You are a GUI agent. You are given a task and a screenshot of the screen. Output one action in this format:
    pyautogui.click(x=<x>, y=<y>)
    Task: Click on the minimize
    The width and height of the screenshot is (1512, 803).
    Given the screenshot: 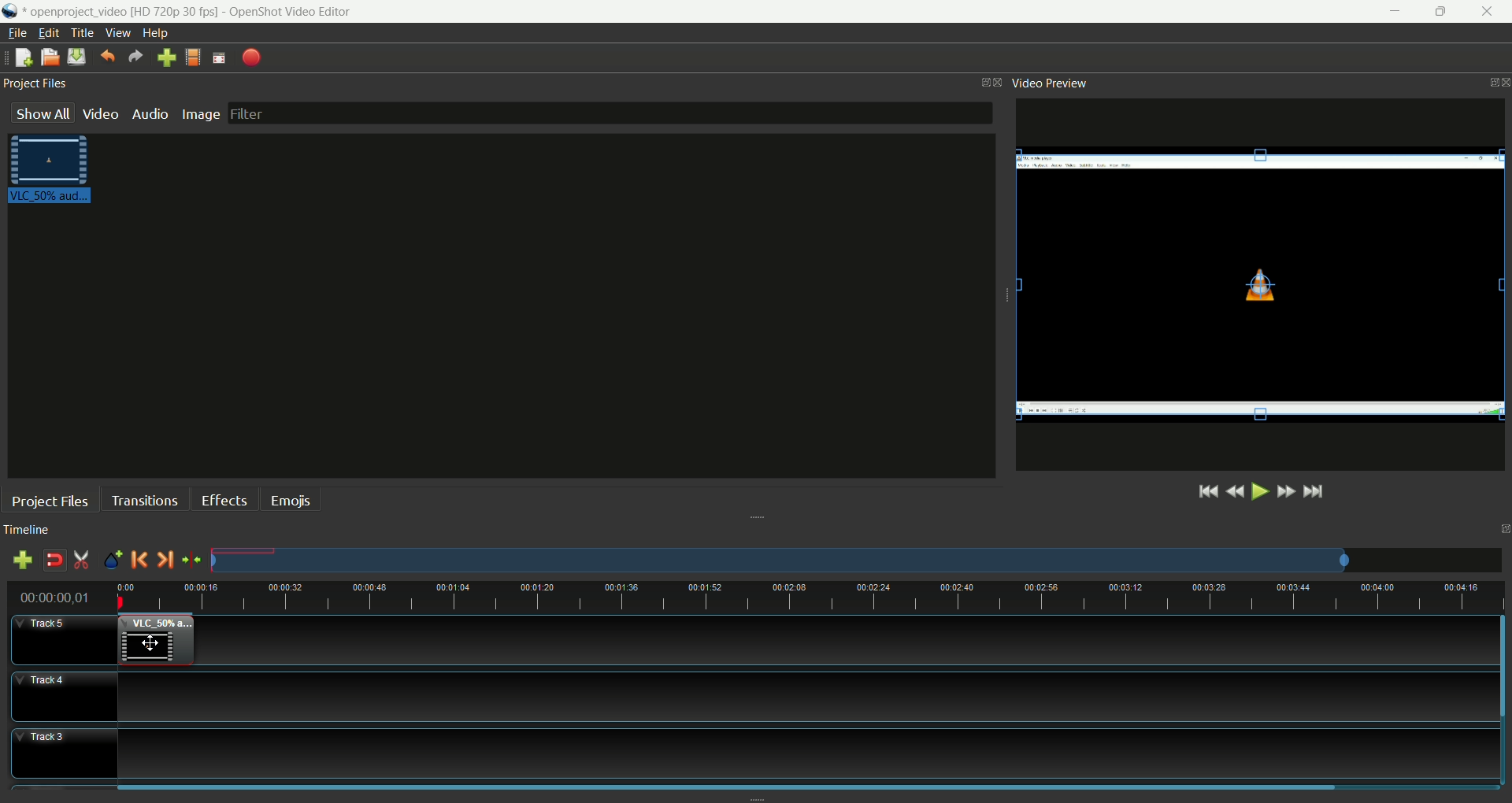 What is the action you would take?
    pyautogui.click(x=1387, y=11)
    